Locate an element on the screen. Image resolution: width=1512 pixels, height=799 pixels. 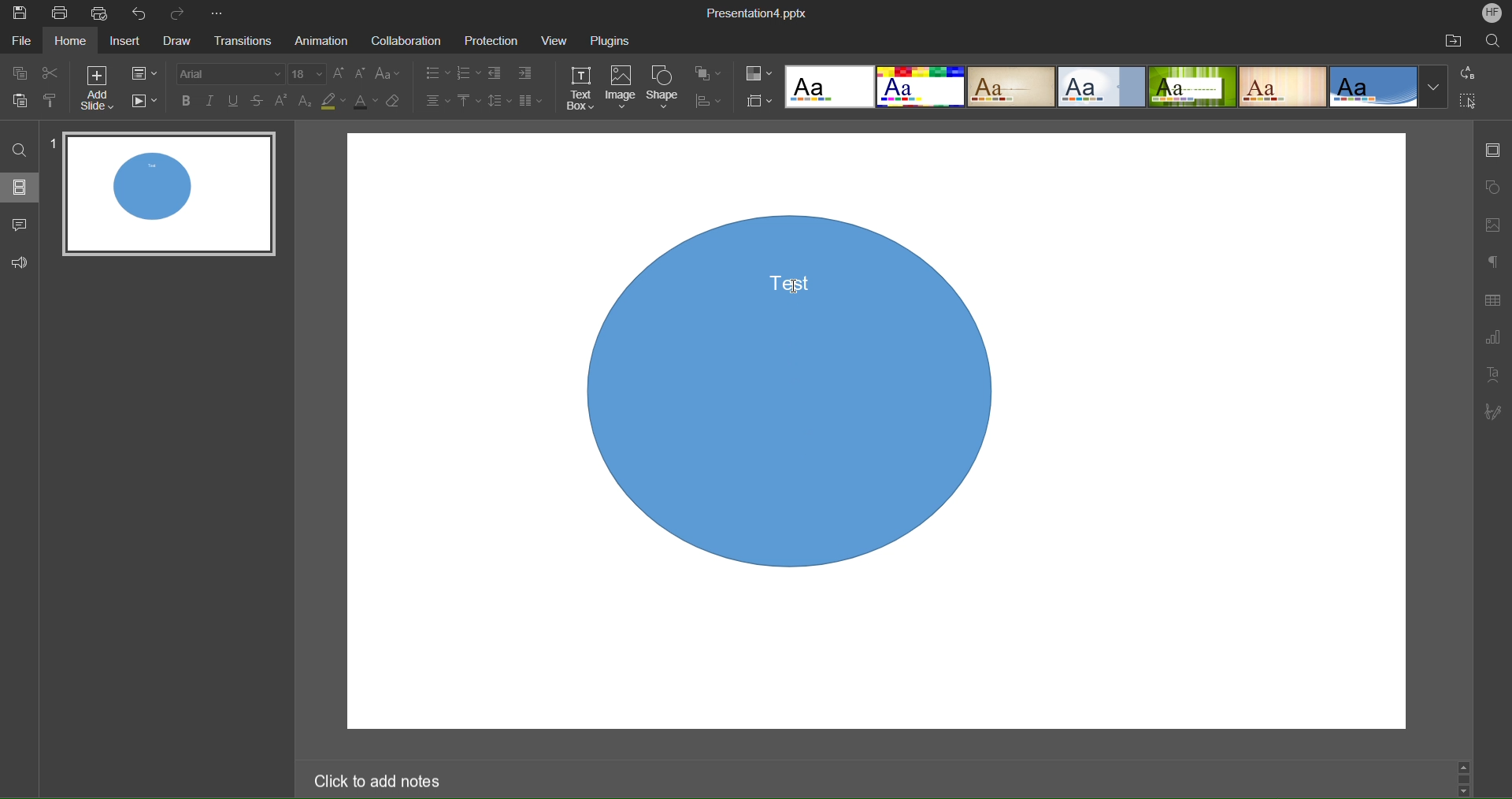
Undo is located at coordinates (139, 13).